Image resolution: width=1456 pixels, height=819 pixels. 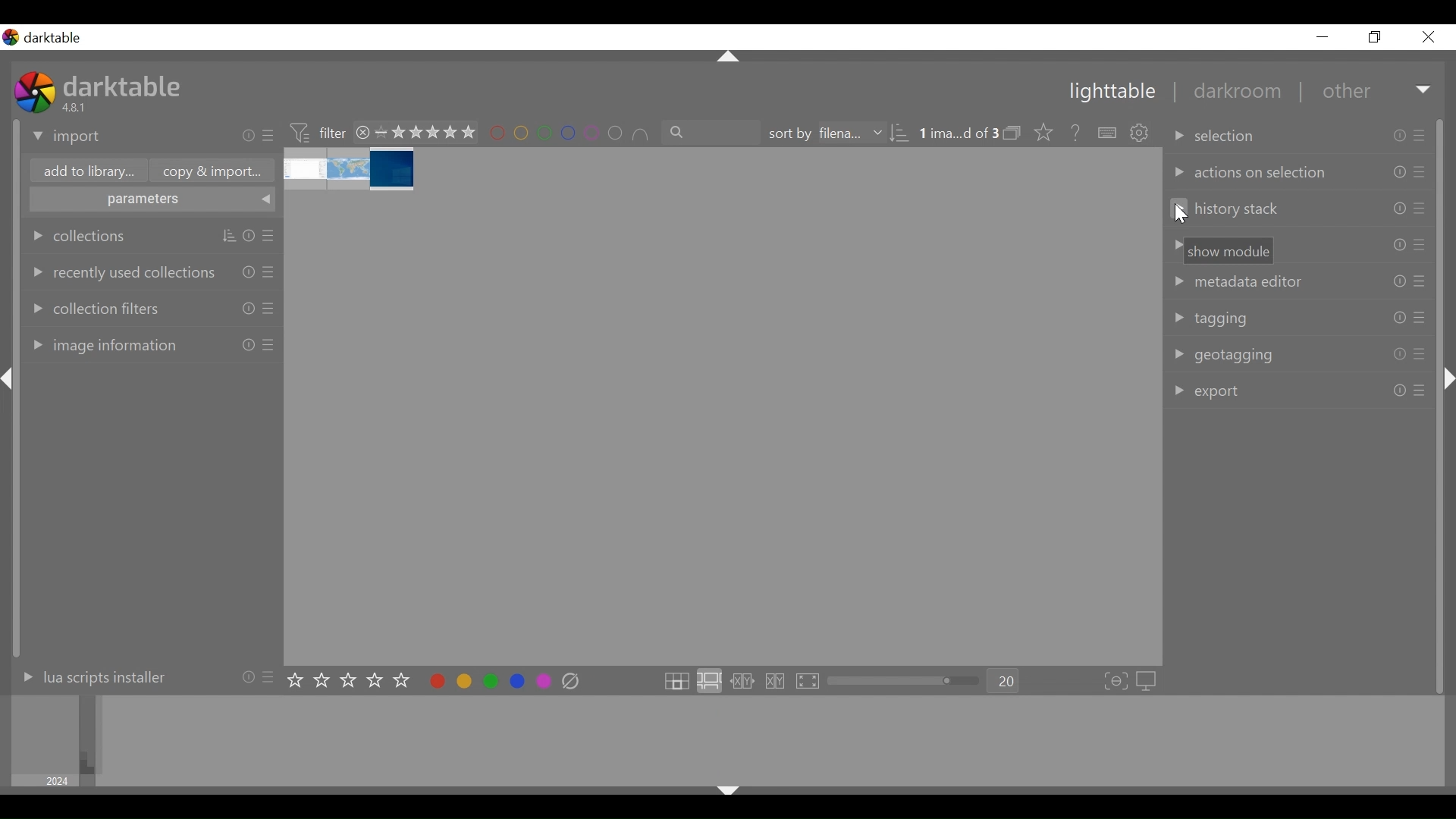 I want to click on range rating, so click(x=425, y=133).